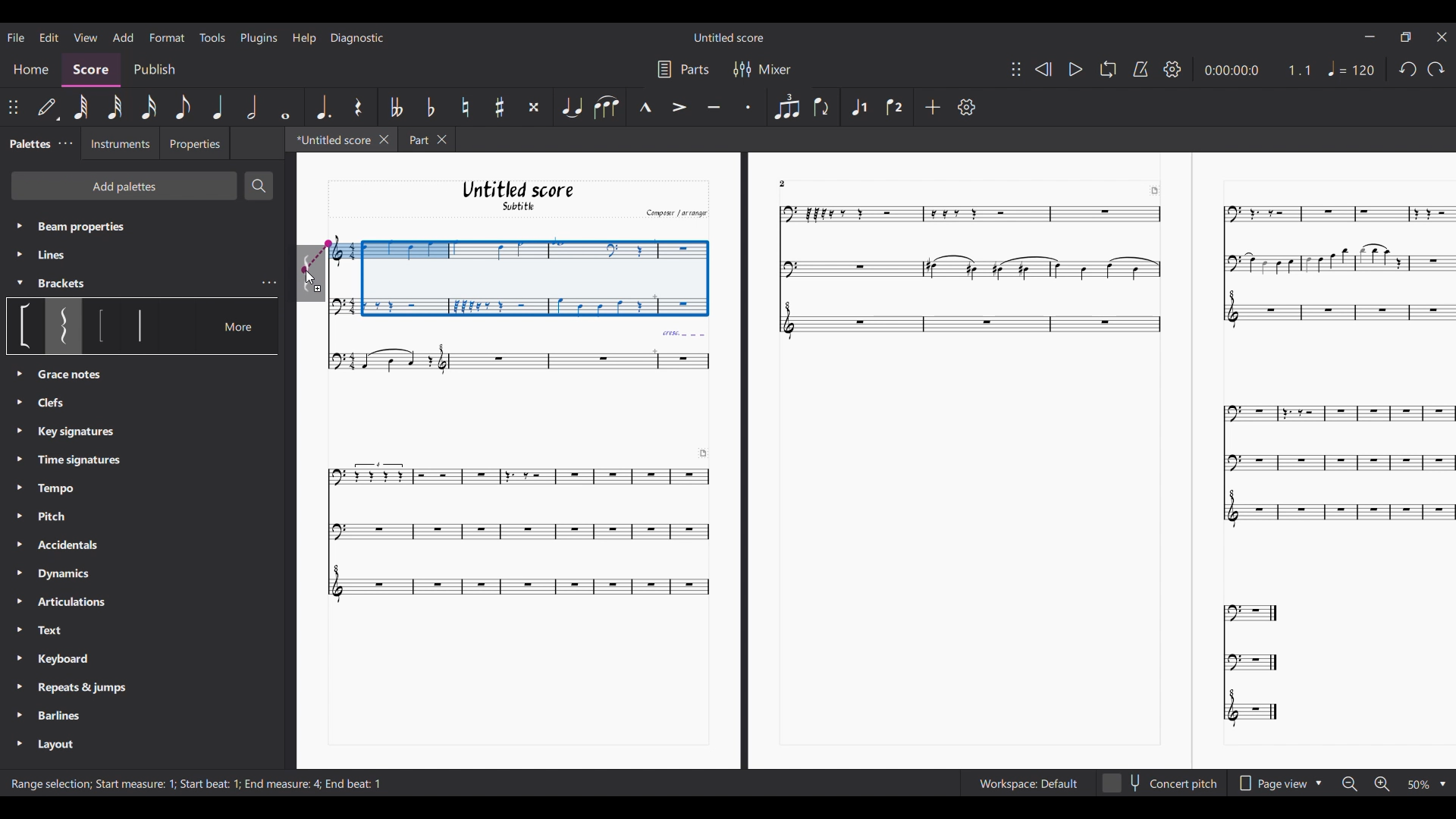  I want to click on Mixer settings, so click(775, 69).